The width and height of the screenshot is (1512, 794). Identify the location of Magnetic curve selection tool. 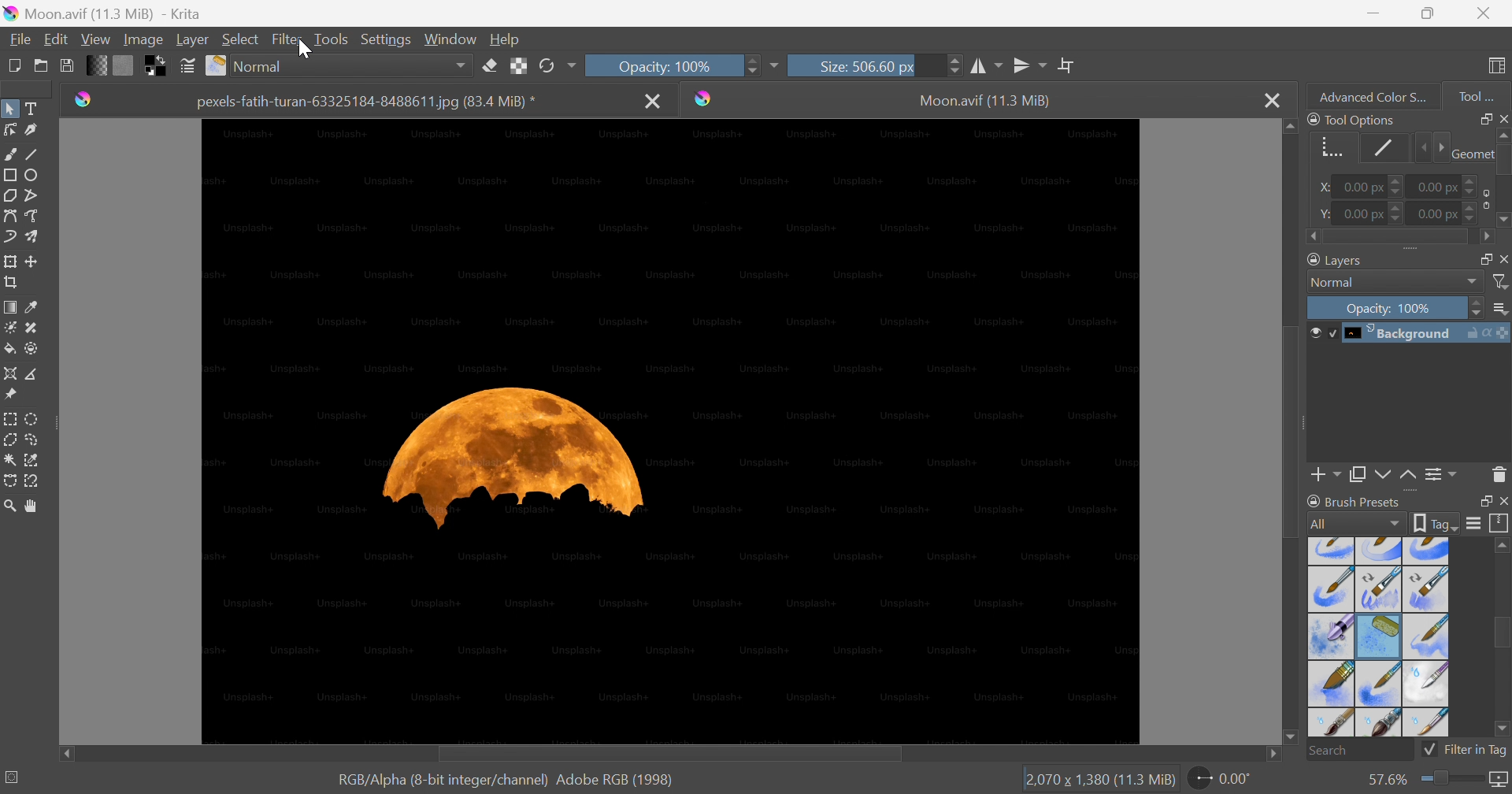
(31, 482).